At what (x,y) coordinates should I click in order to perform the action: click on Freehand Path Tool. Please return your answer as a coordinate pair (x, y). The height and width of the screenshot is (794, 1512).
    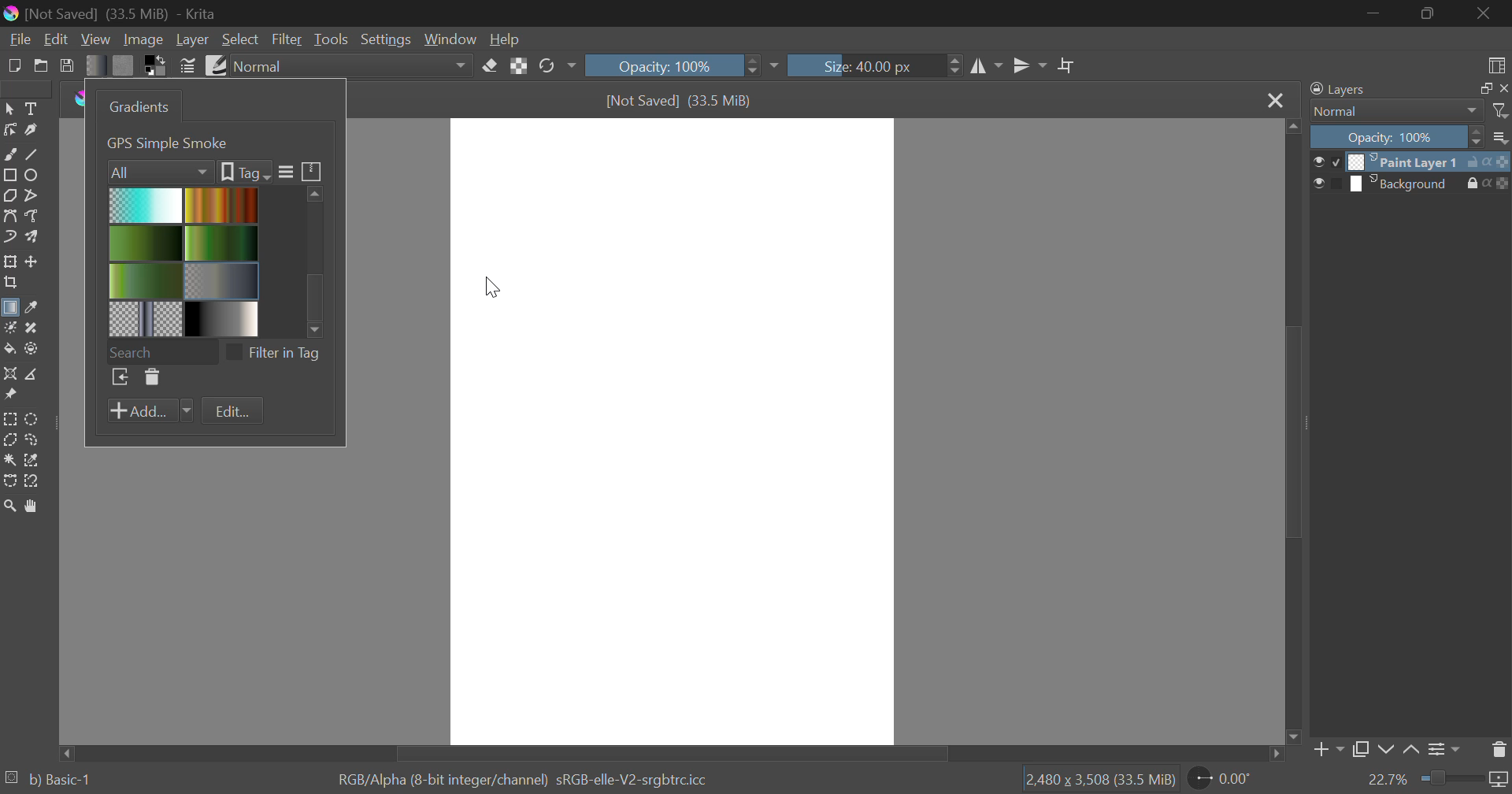
    Looking at the image, I should click on (35, 217).